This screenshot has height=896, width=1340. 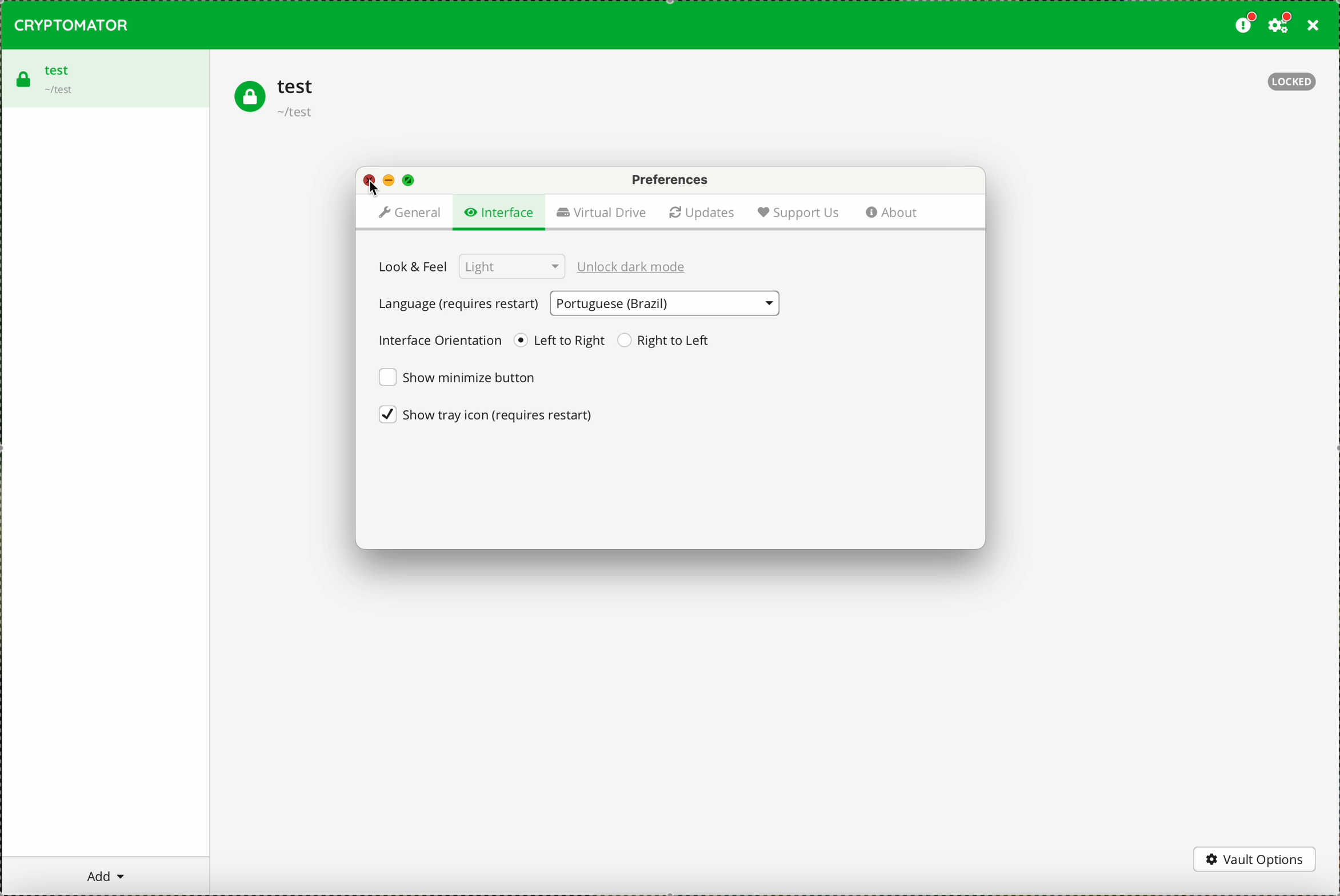 I want to click on unlock dark mode, so click(x=635, y=267).